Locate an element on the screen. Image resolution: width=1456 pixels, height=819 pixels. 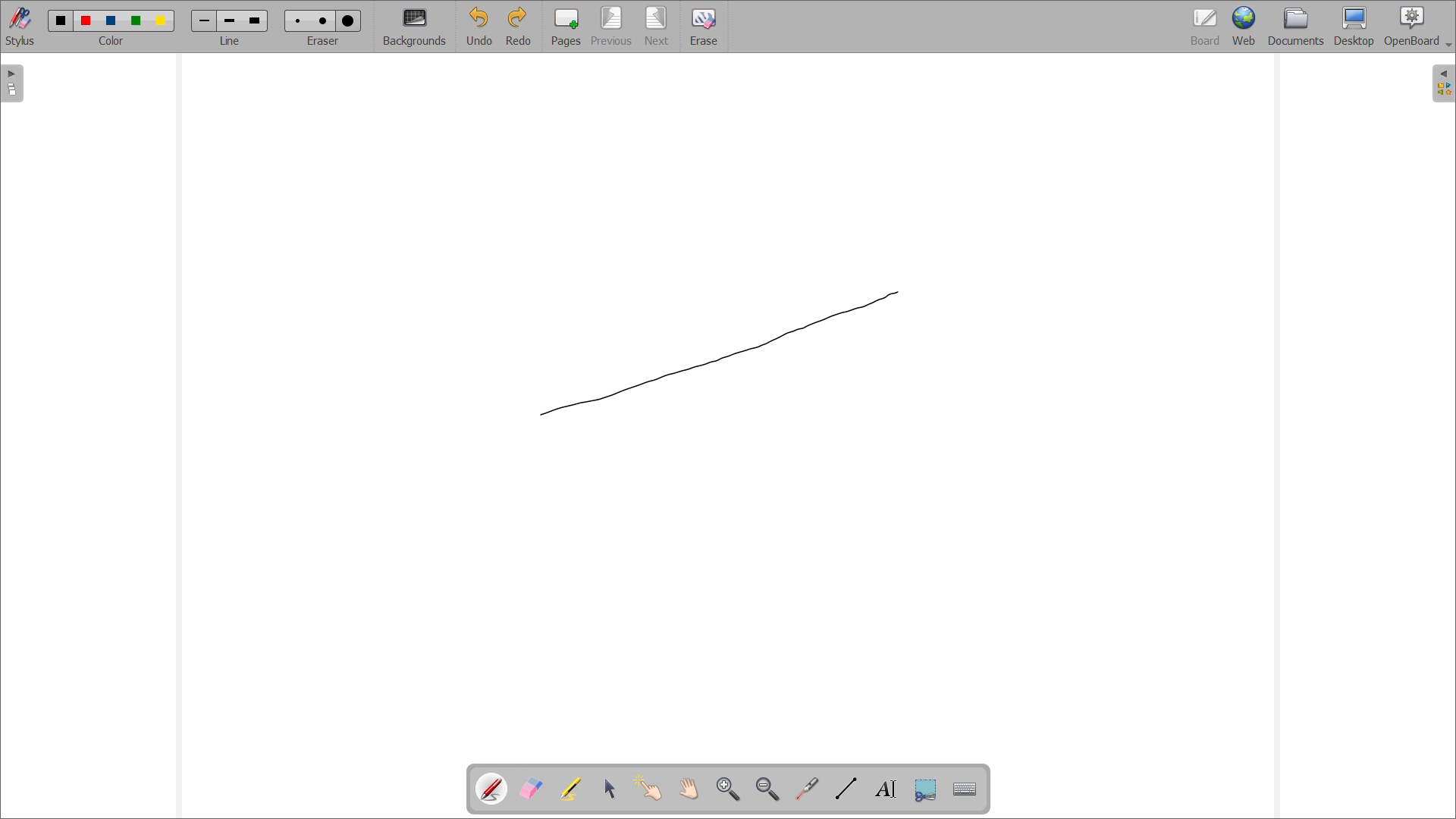
Eraser size is located at coordinates (323, 20).